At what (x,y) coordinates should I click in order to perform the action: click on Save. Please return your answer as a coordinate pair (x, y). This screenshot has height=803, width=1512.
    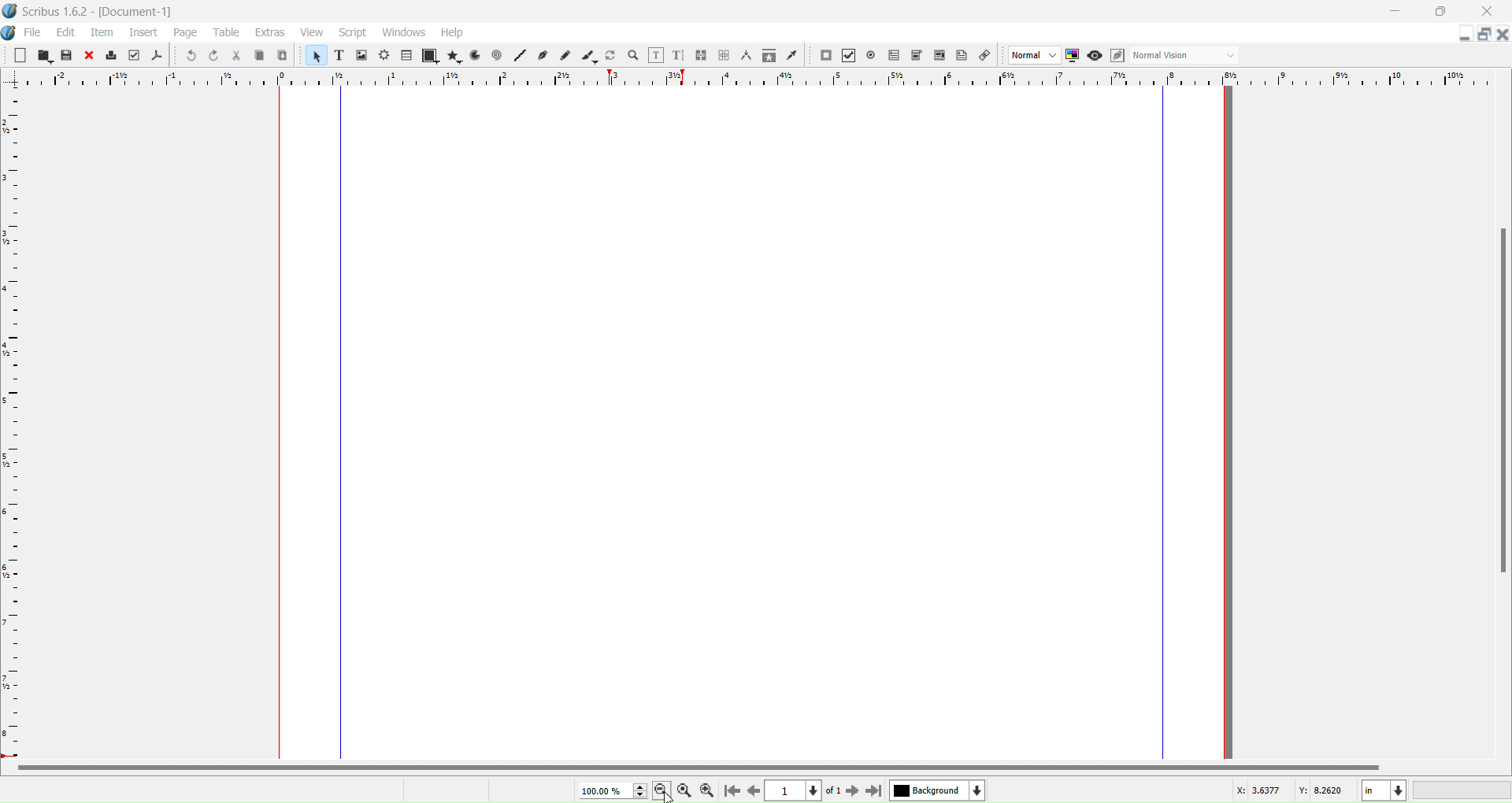
    Looking at the image, I should click on (66, 56).